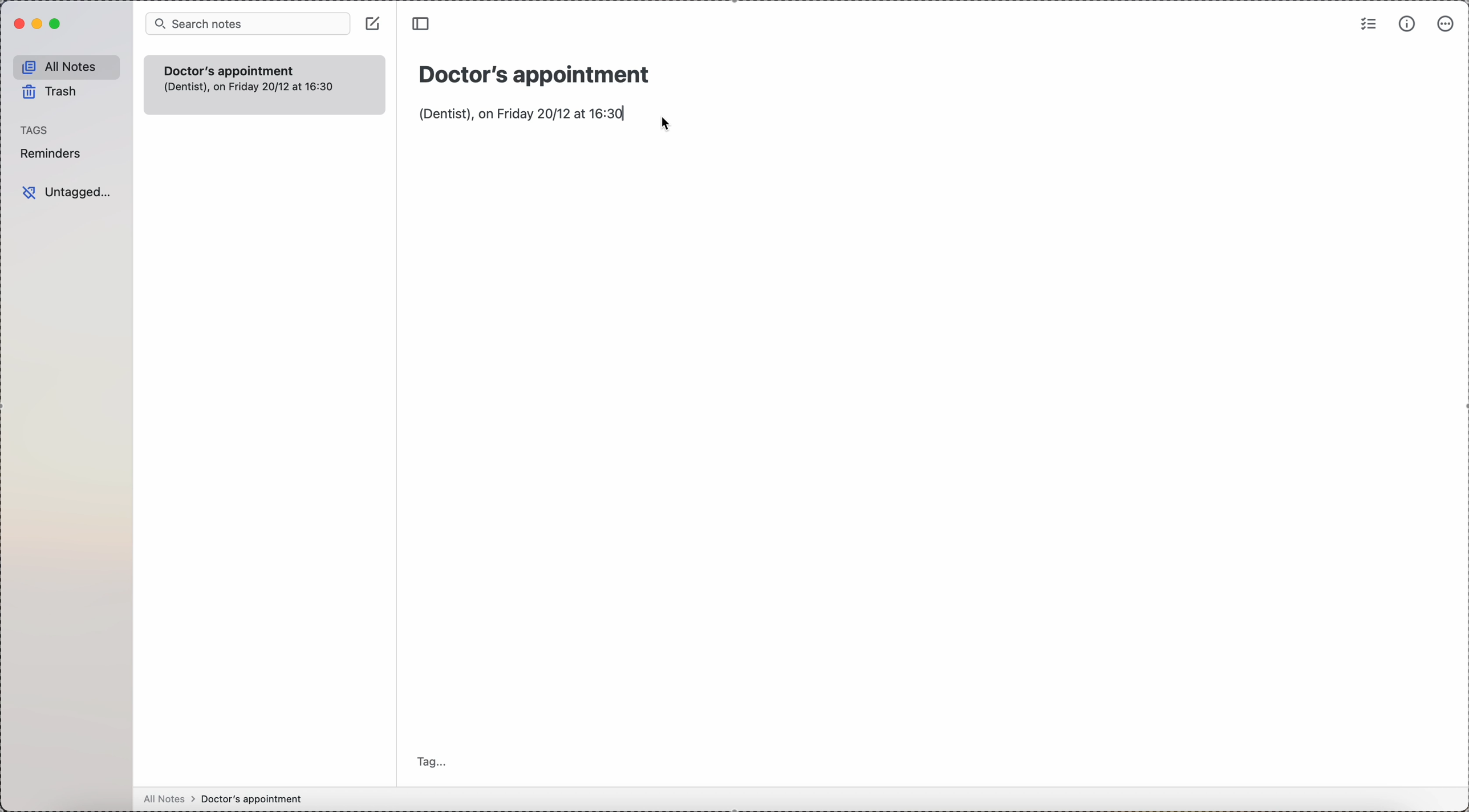 The height and width of the screenshot is (812, 1469). I want to click on metrics, so click(1407, 24).